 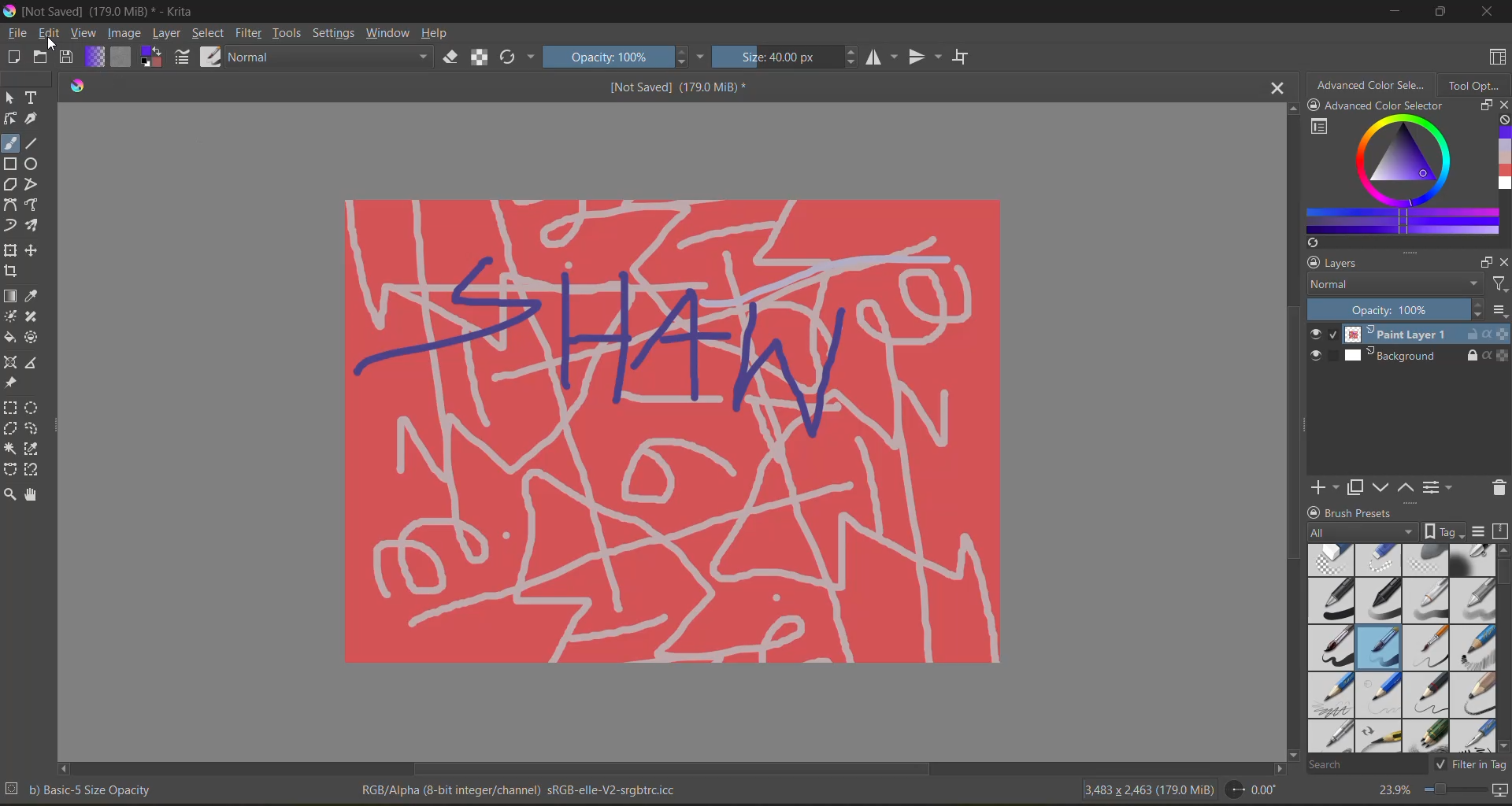 What do you see at coordinates (388, 33) in the screenshot?
I see `window` at bounding box center [388, 33].